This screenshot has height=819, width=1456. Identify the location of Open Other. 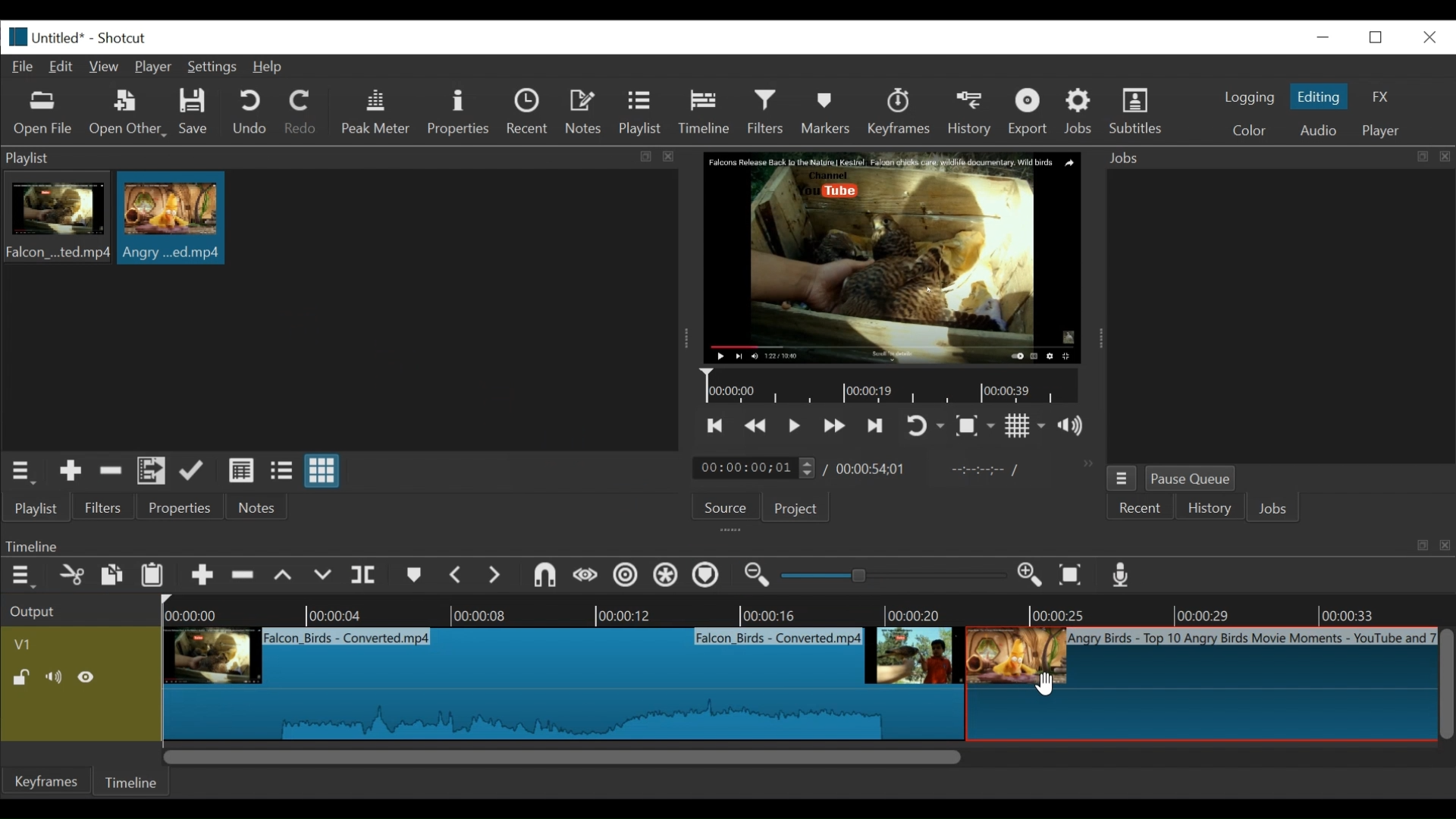
(129, 114).